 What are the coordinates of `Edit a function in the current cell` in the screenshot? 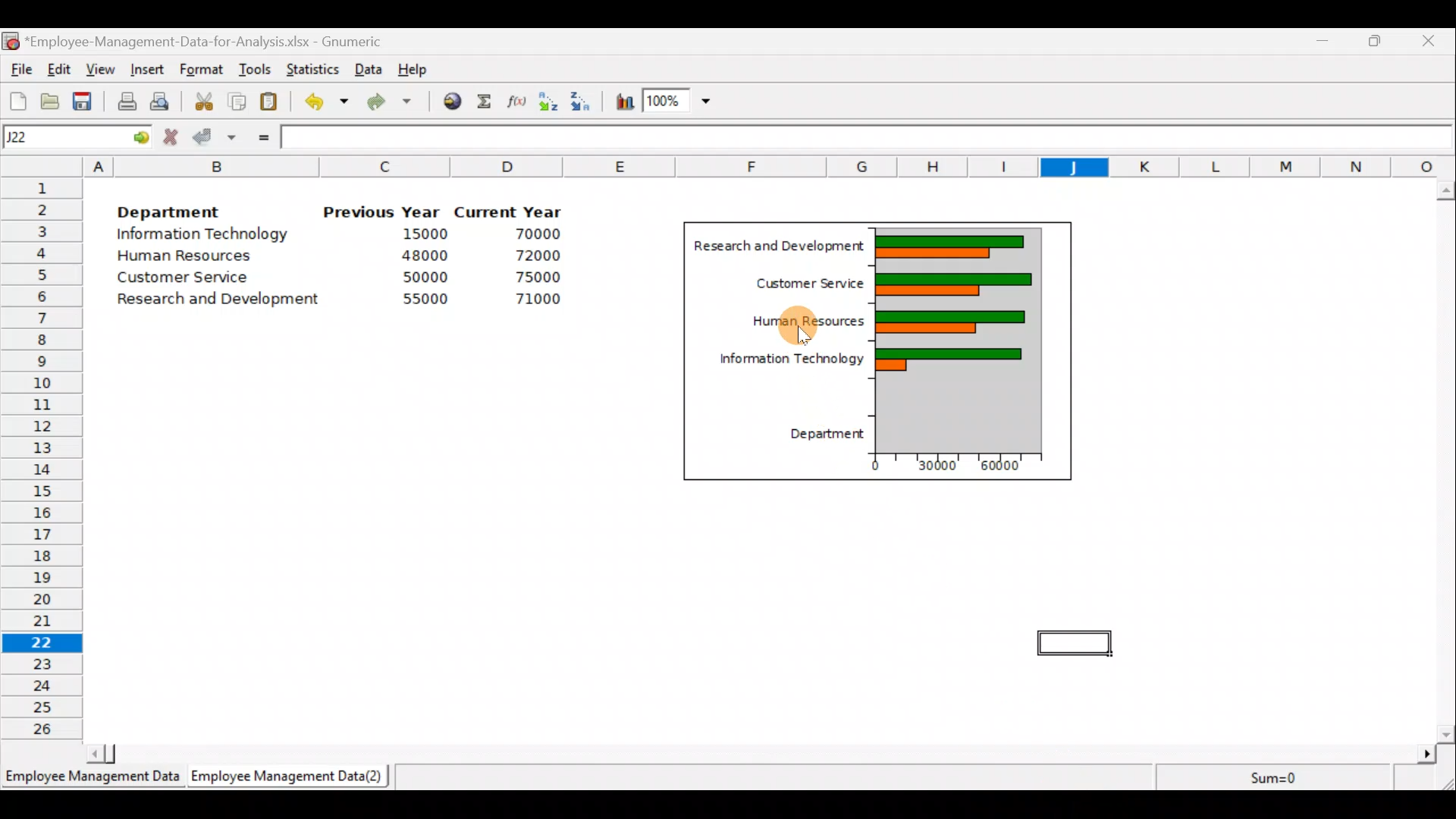 It's located at (518, 102).